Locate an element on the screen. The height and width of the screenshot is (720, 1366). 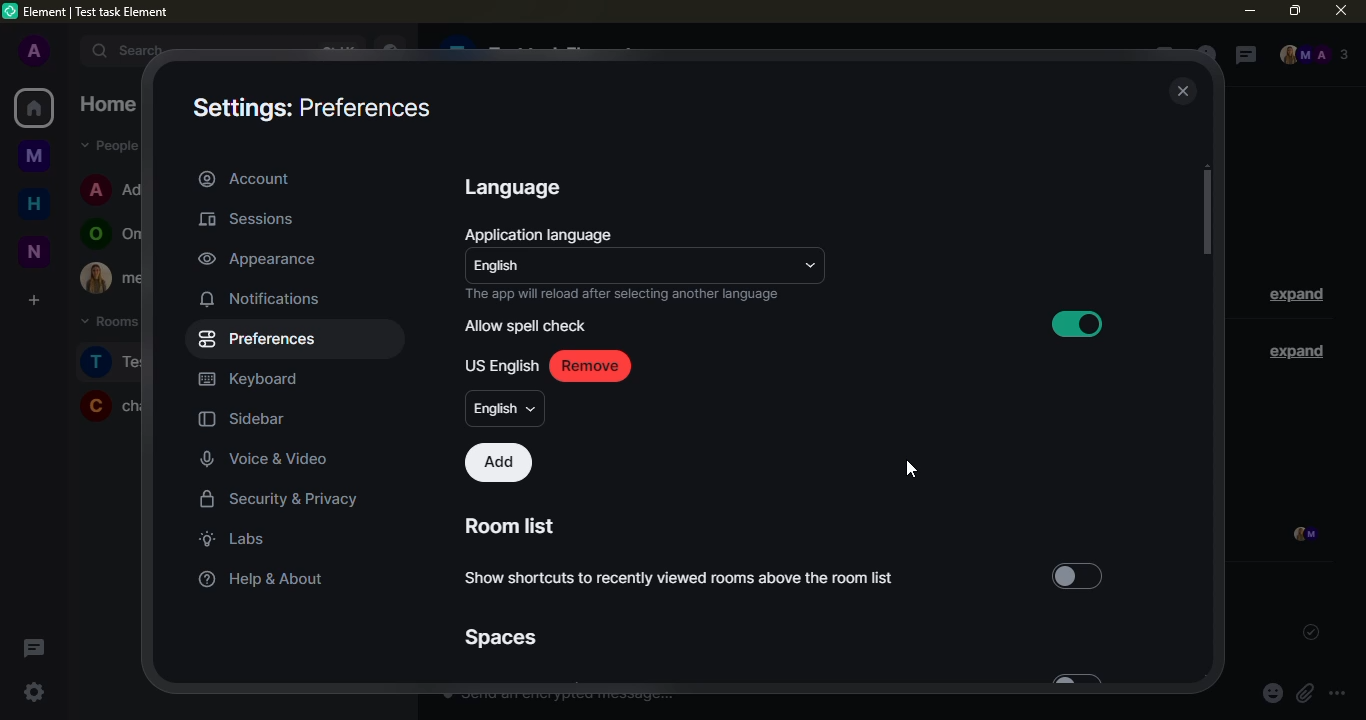
new is located at coordinates (33, 251).